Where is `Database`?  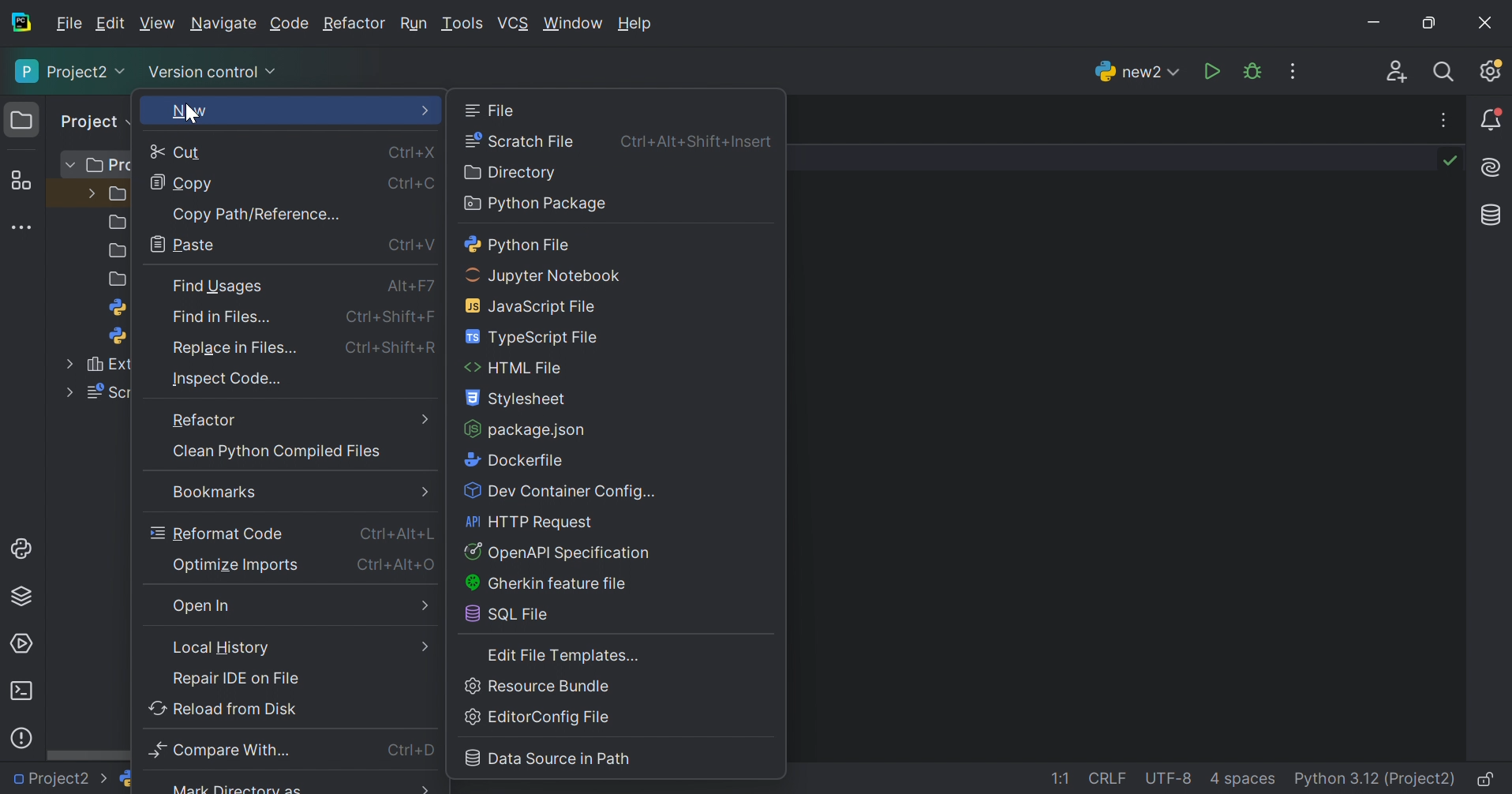
Database is located at coordinates (1488, 215).